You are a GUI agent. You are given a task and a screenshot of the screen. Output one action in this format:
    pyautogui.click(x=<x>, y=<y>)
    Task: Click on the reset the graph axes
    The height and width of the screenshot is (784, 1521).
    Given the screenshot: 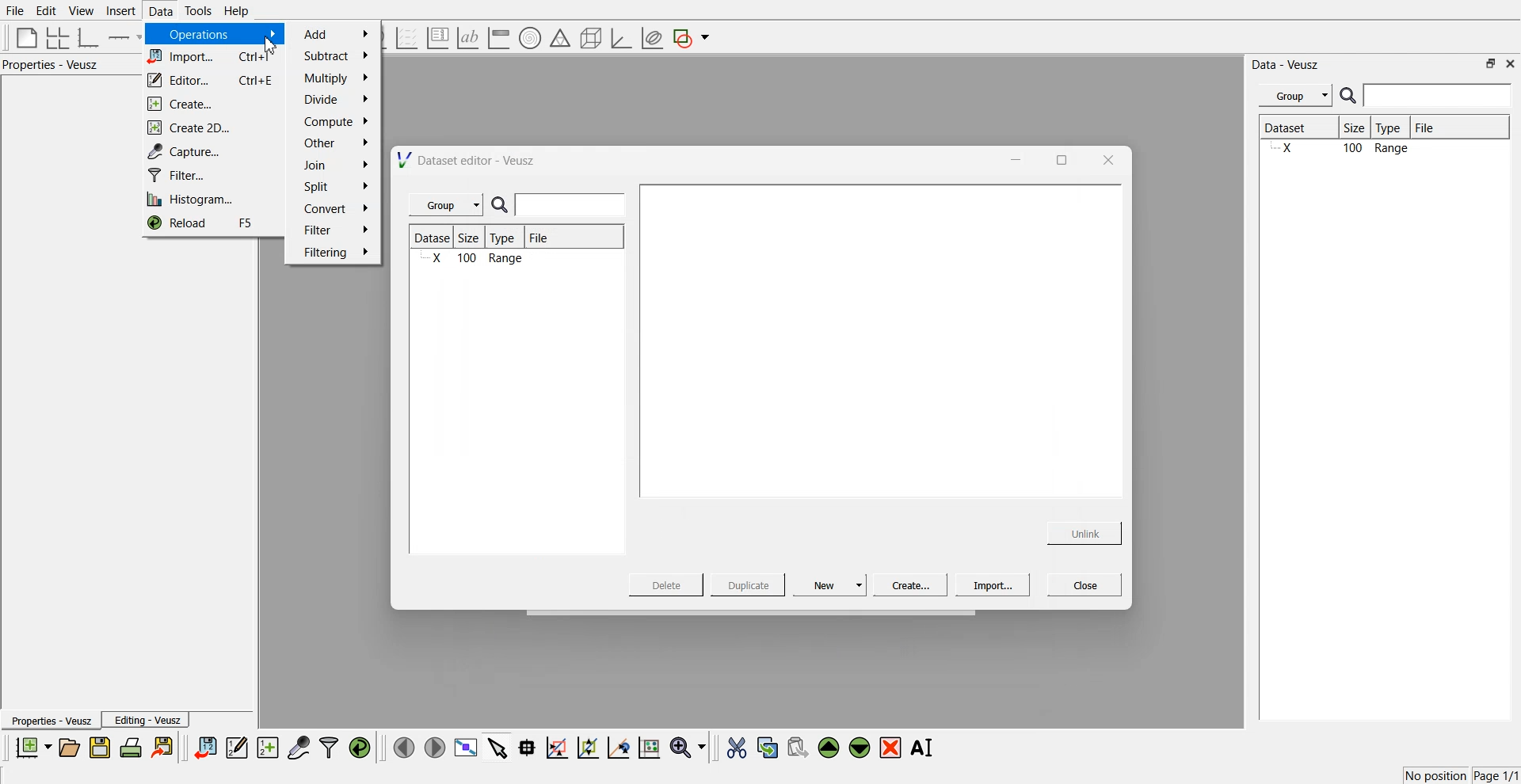 What is the action you would take?
    pyautogui.click(x=649, y=748)
    